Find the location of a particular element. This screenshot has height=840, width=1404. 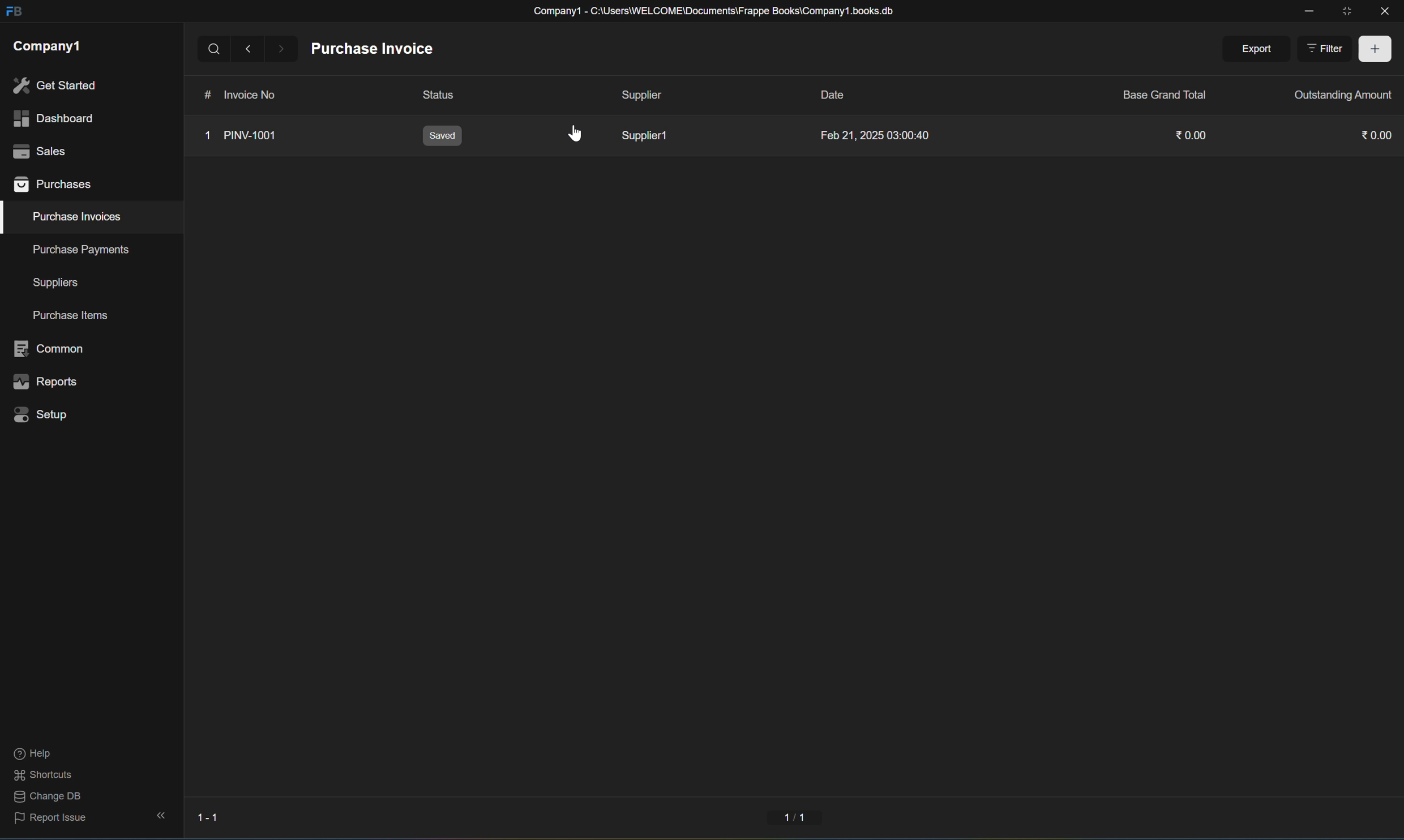

sales is located at coordinates (37, 149).